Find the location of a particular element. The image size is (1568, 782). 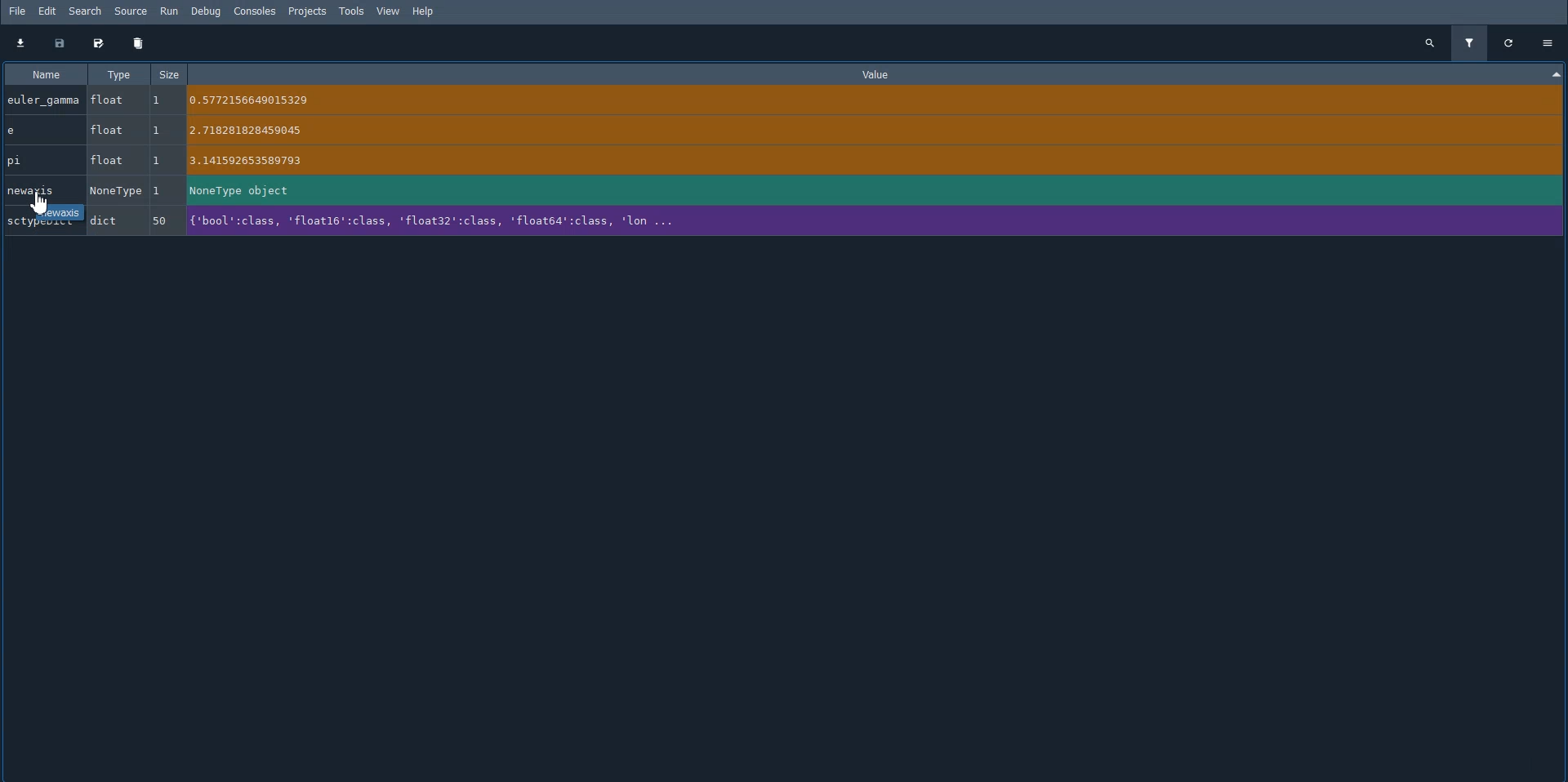

e is located at coordinates (784, 130).